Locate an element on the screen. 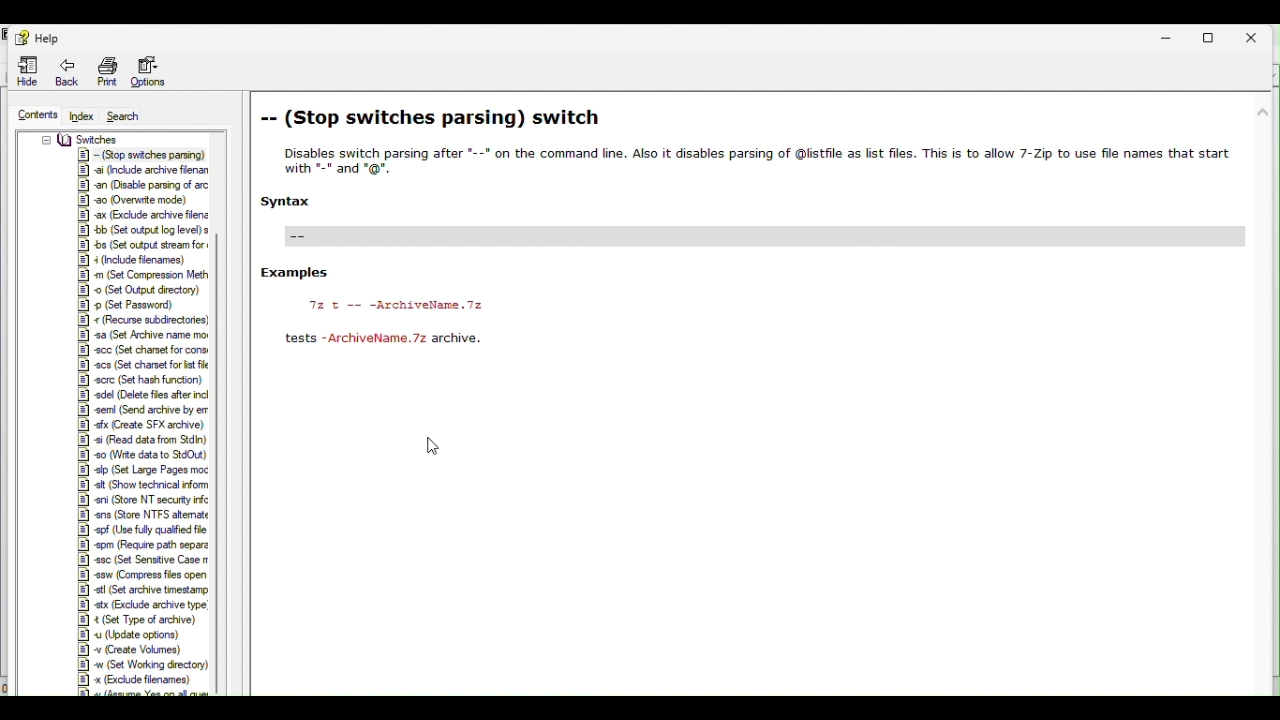   is located at coordinates (146, 588).